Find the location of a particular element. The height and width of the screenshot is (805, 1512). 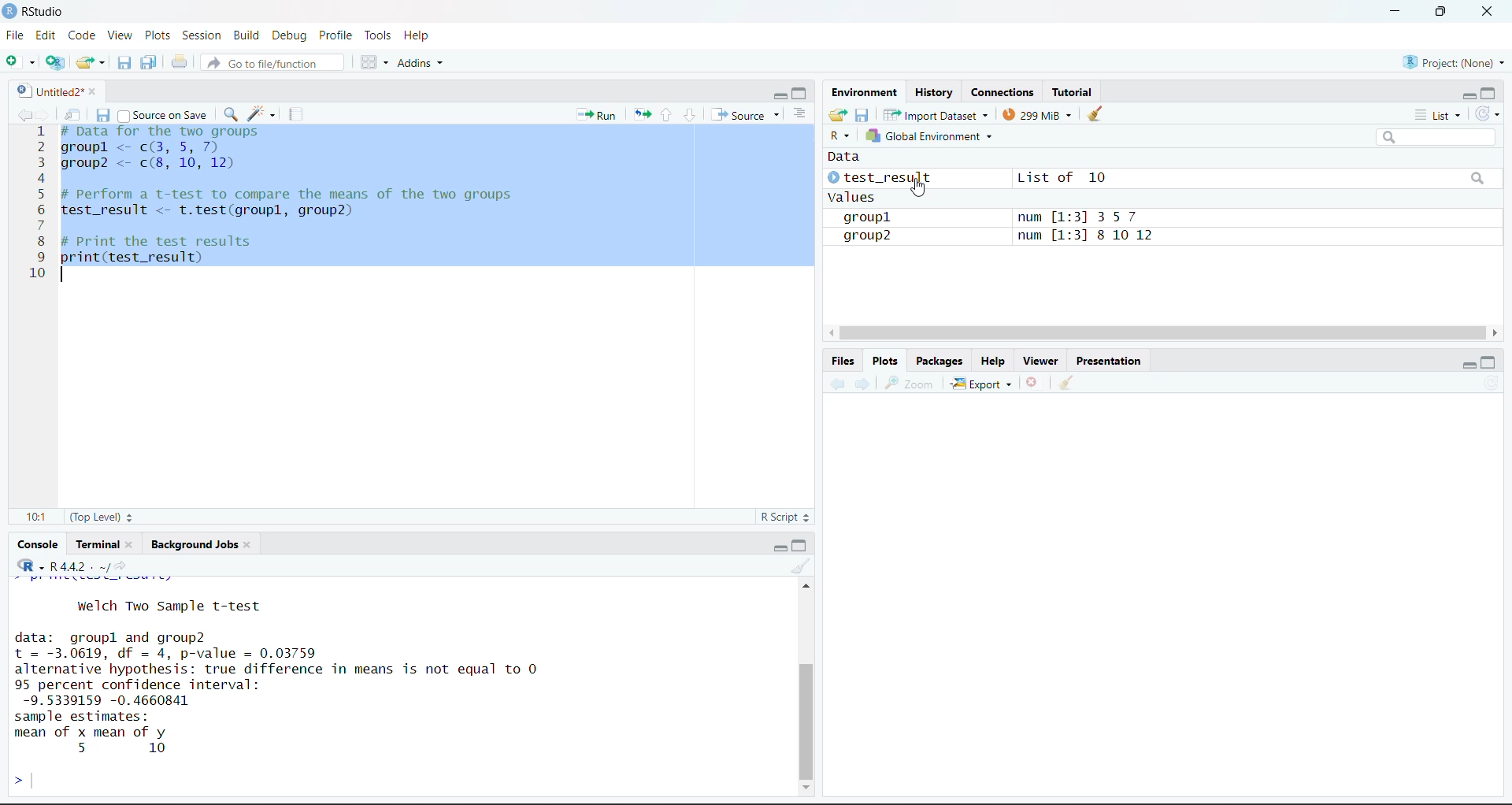

find/replace is located at coordinates (232, 113).